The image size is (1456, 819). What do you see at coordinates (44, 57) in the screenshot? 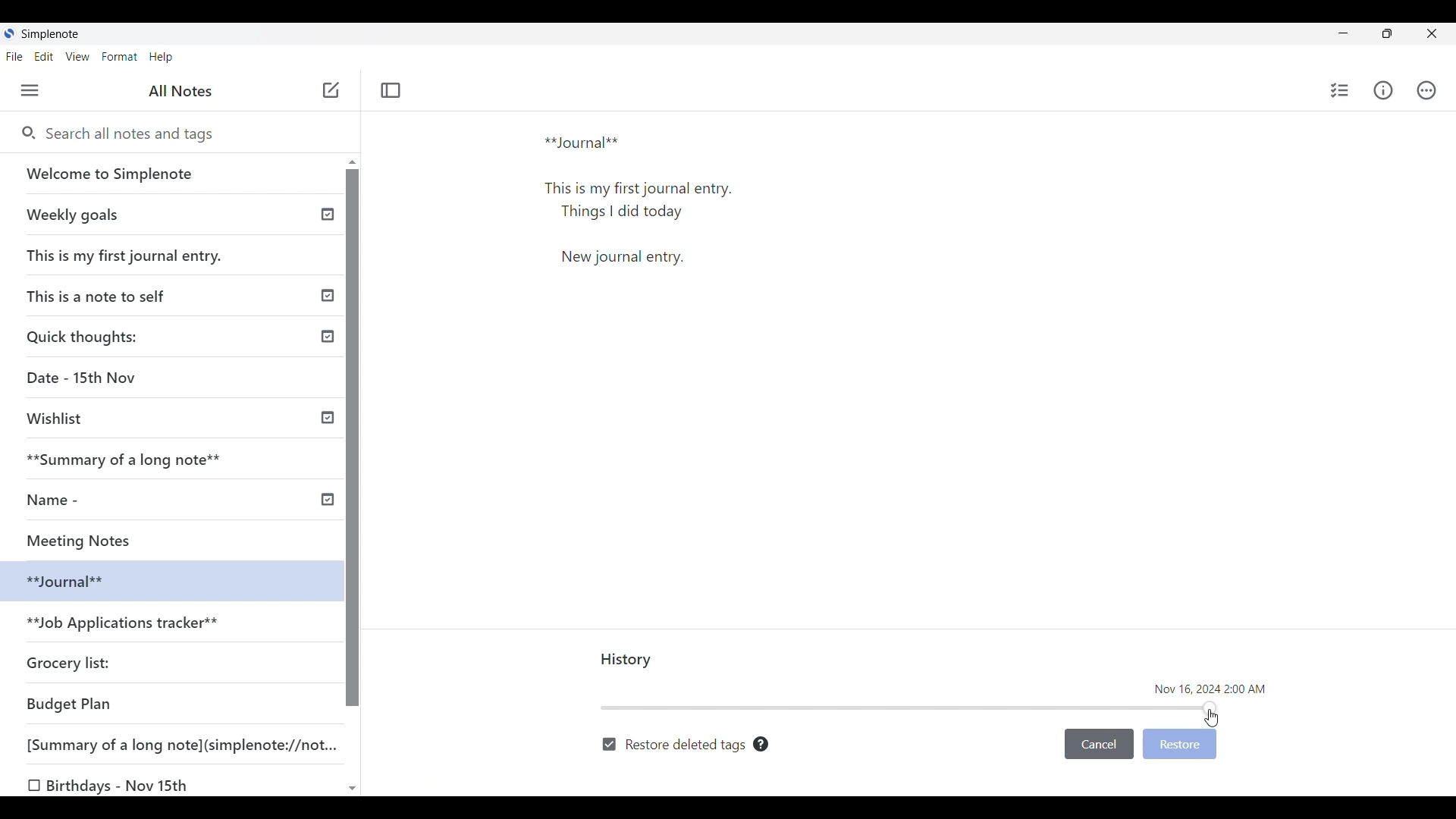
I see `Edit menu` at bounding box center [44, 57].